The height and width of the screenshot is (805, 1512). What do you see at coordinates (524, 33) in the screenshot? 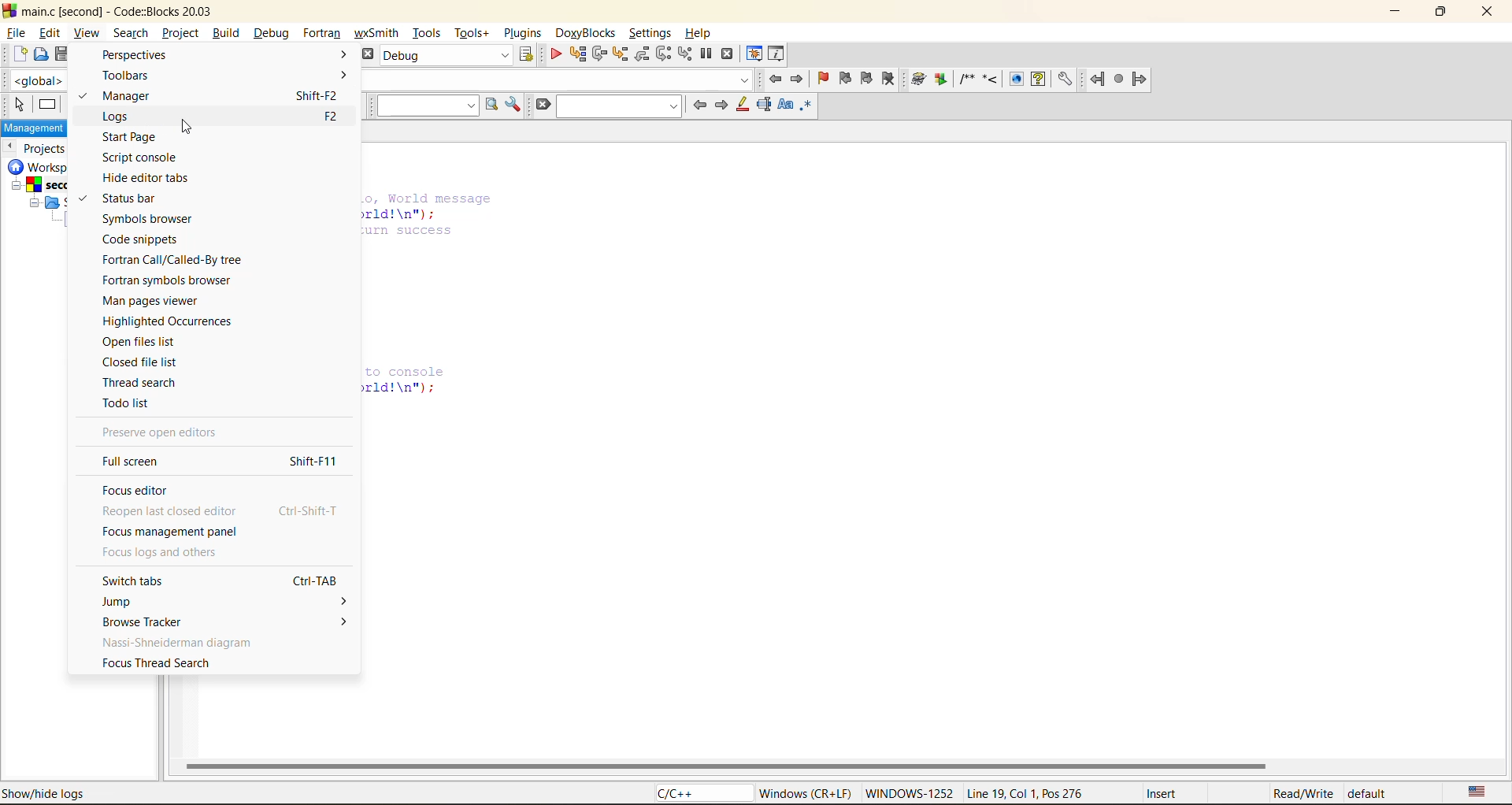
I see `plugins` at bounding box center [524, 33].